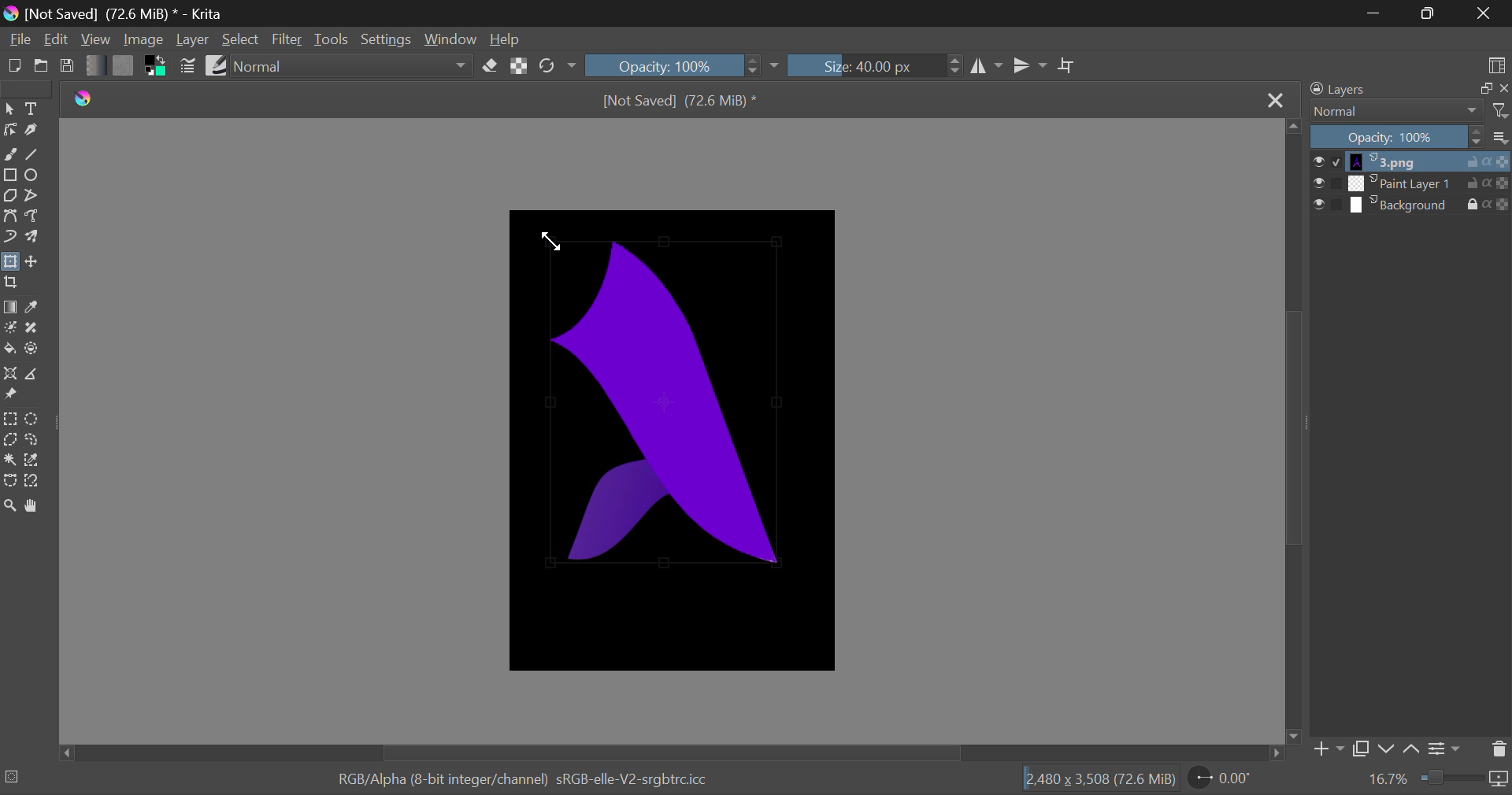 This screenshot has height=795, width=1512. Describe the element at coordinates (241, 39) in the screenshot. I see `Select` at that location.